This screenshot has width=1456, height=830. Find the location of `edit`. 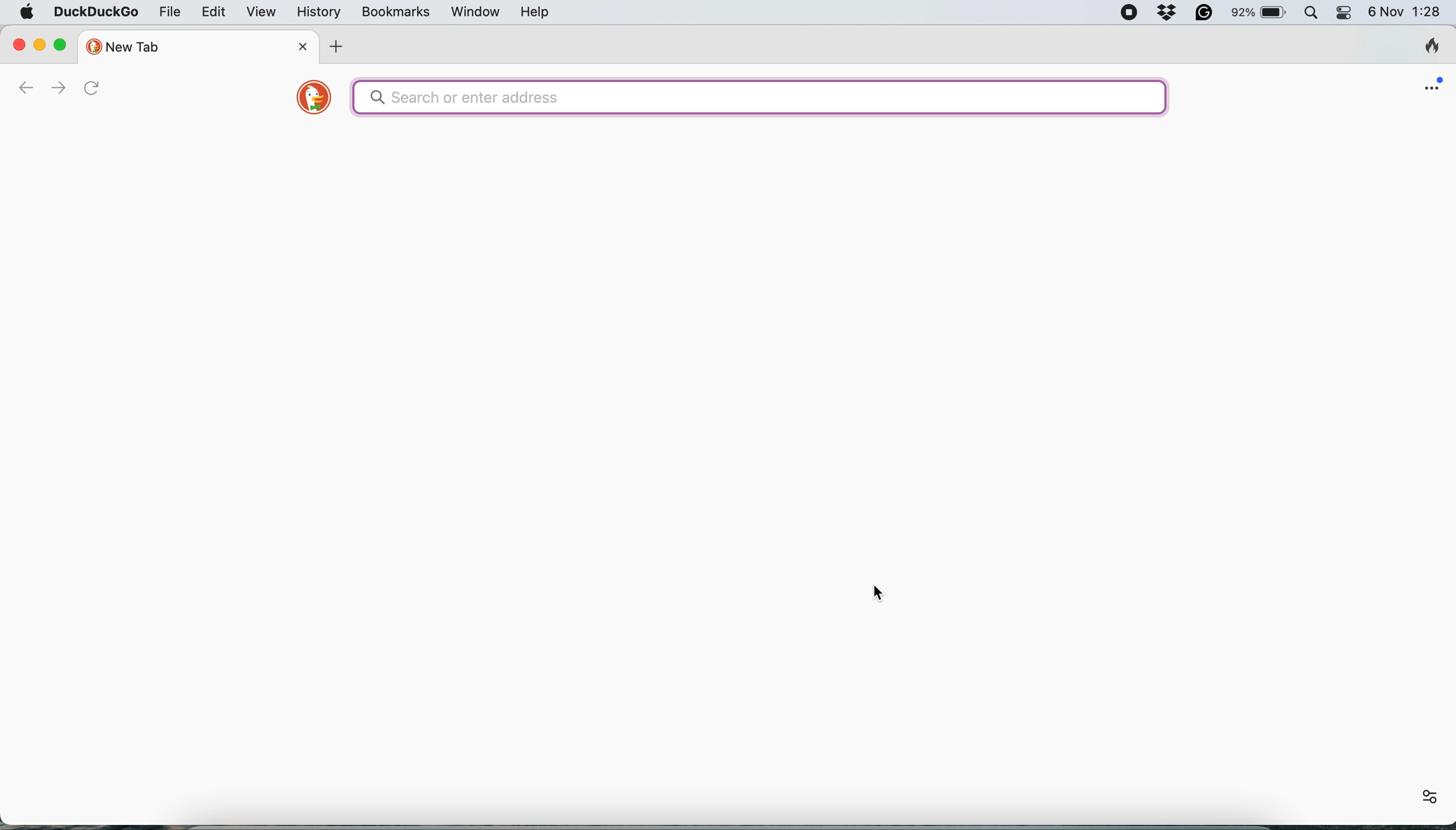

edit is located at coordinates (213, 13).